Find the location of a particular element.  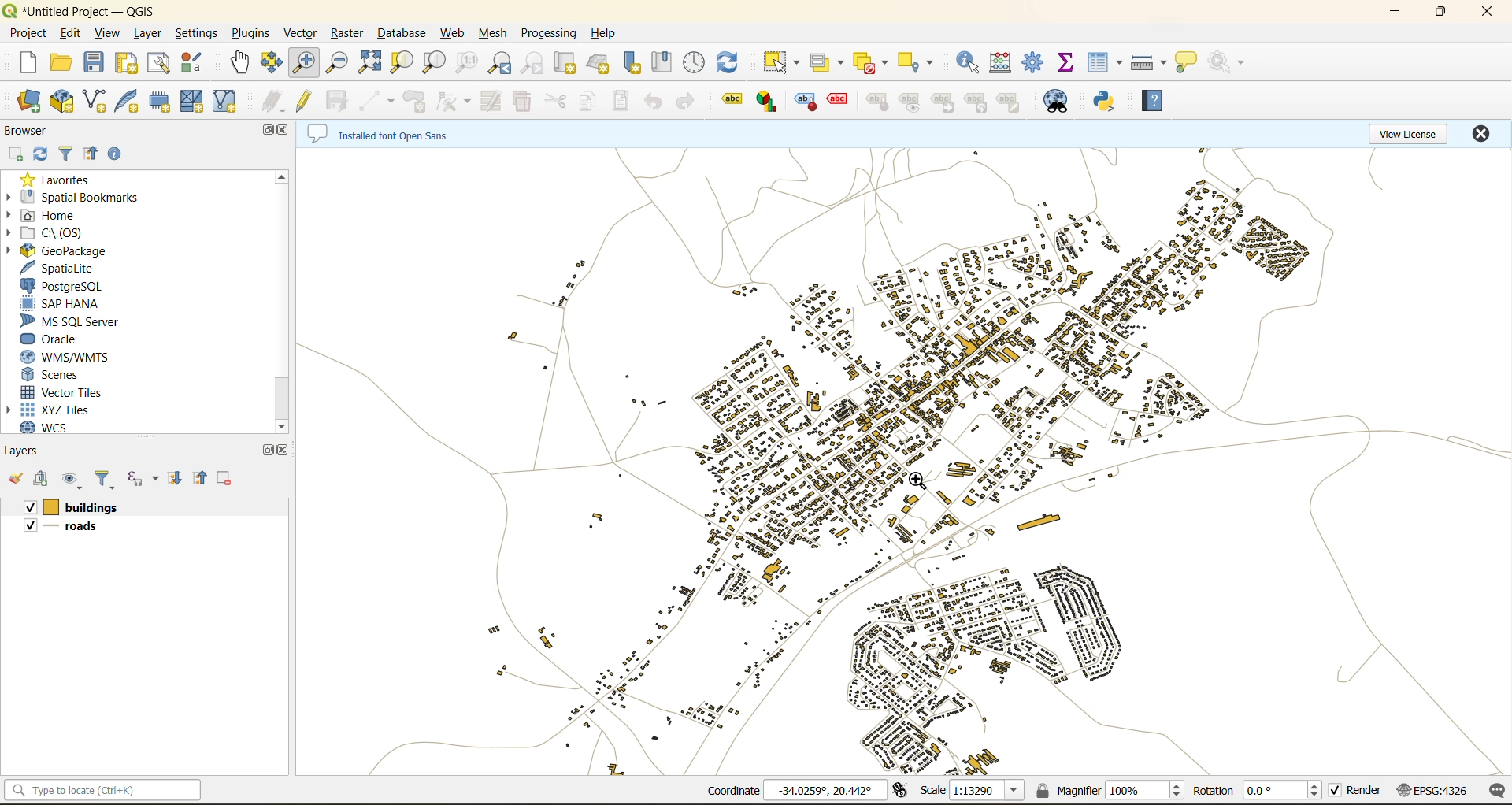

 is located at coordinates (81, 526).